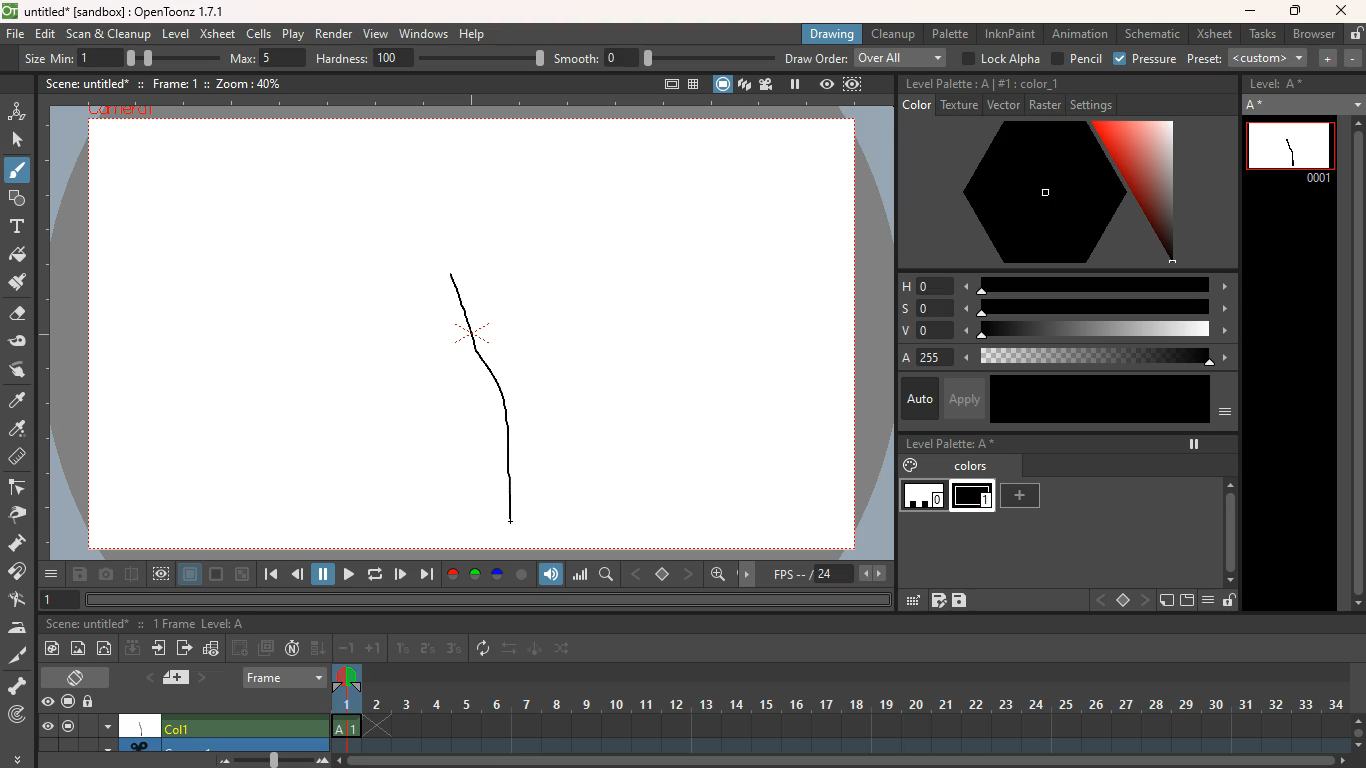 The width and height of the screenshot is (1366, 768). I want to click on circle, so click(107, 650).